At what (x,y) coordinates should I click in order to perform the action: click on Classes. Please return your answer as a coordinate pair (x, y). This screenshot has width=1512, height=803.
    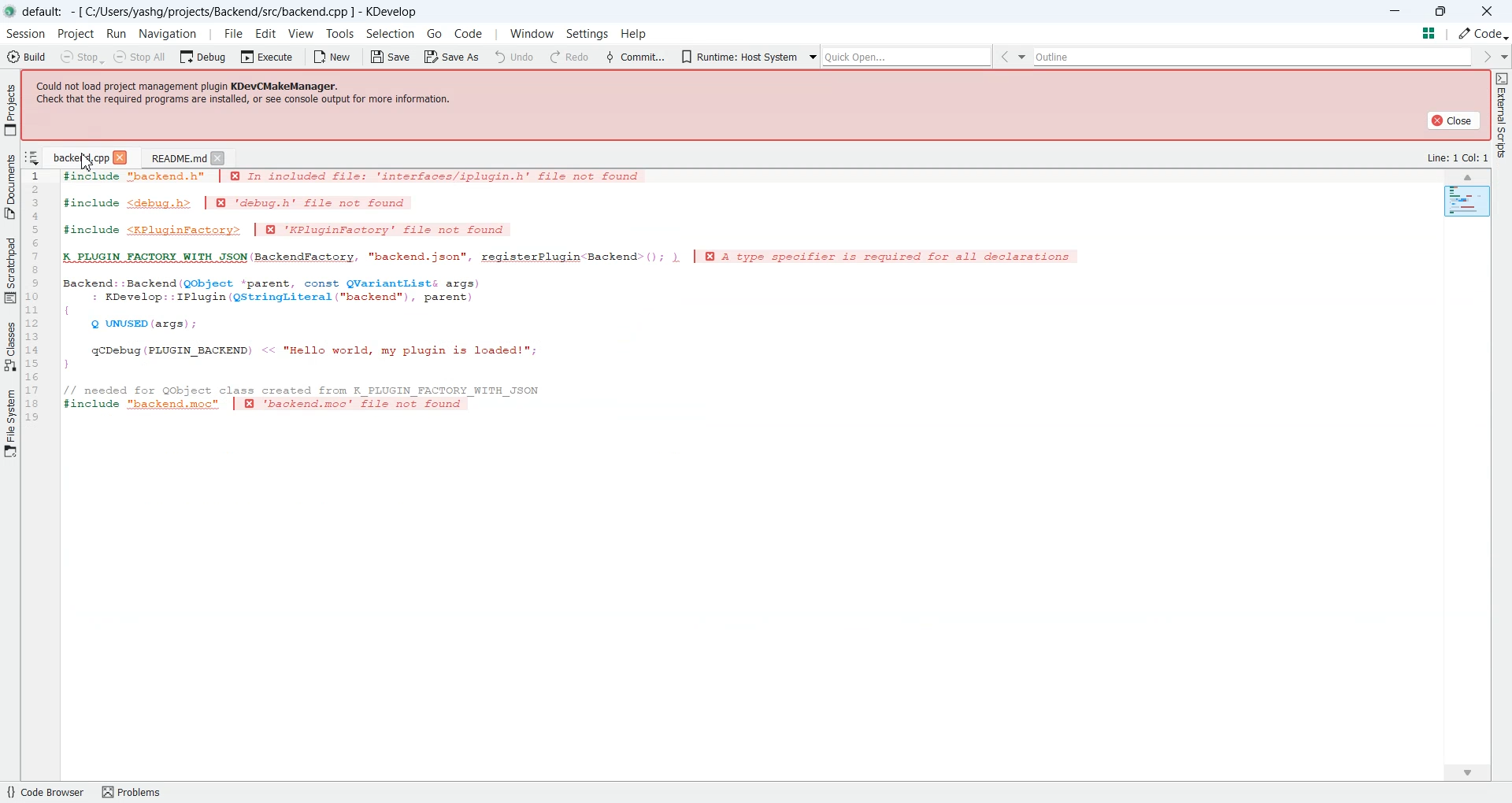
    Looking at the image, I should click on (11, 346).